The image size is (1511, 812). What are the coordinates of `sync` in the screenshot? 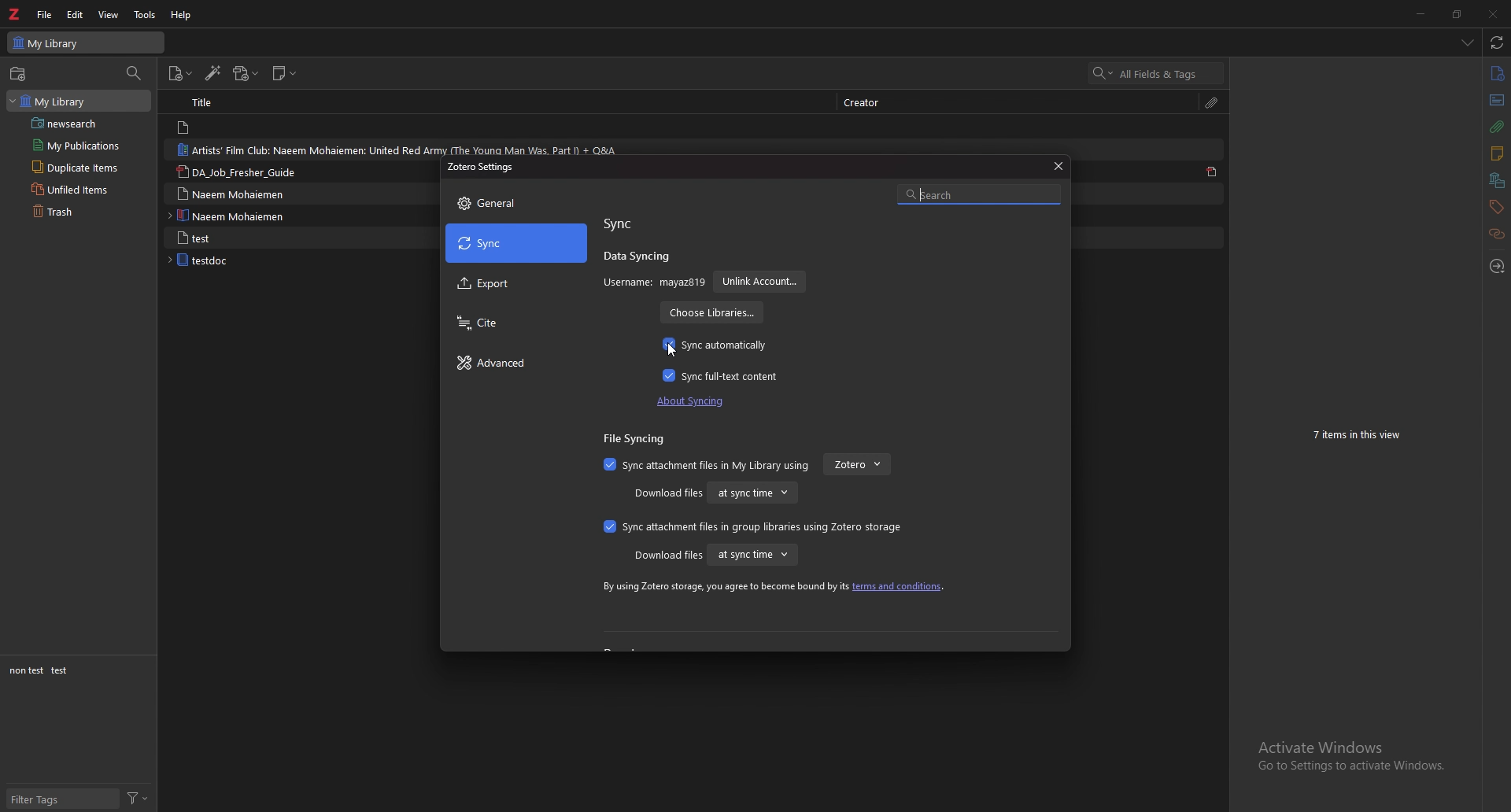 It's located at (516, 243).